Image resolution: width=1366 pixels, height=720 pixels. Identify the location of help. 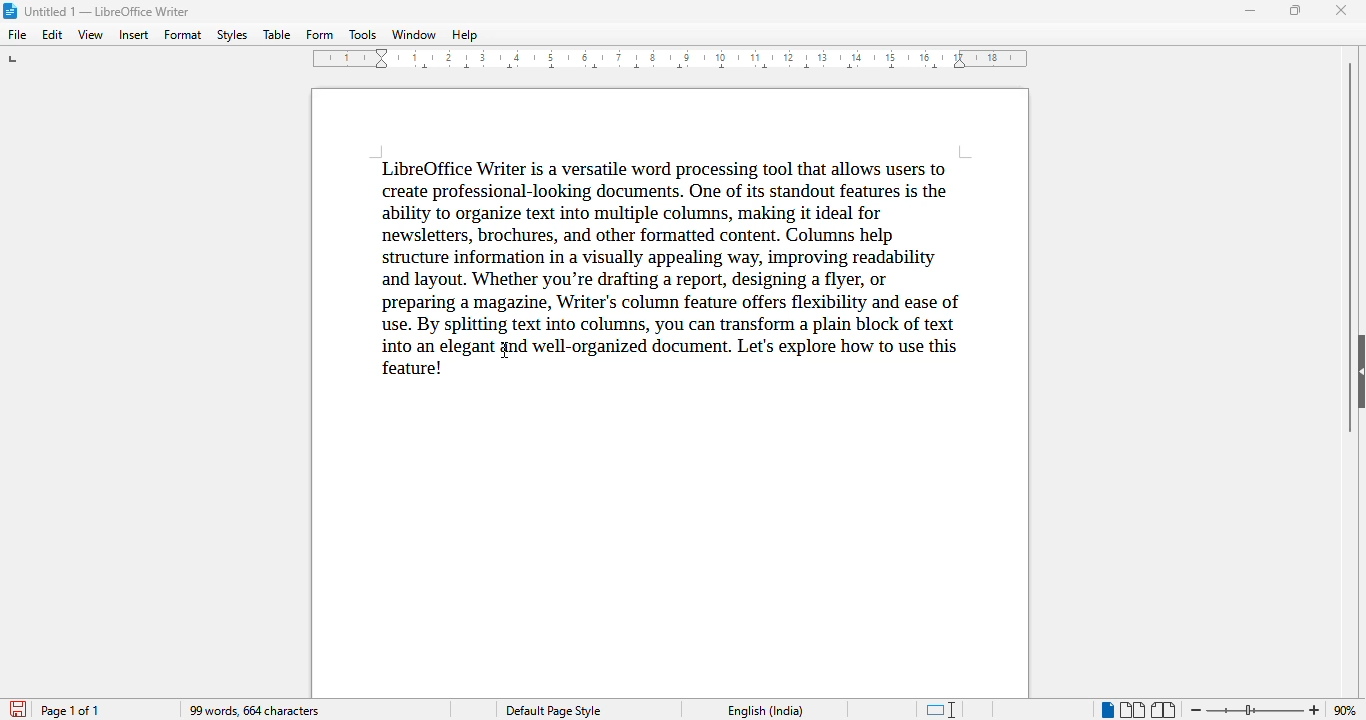
(465, 35).